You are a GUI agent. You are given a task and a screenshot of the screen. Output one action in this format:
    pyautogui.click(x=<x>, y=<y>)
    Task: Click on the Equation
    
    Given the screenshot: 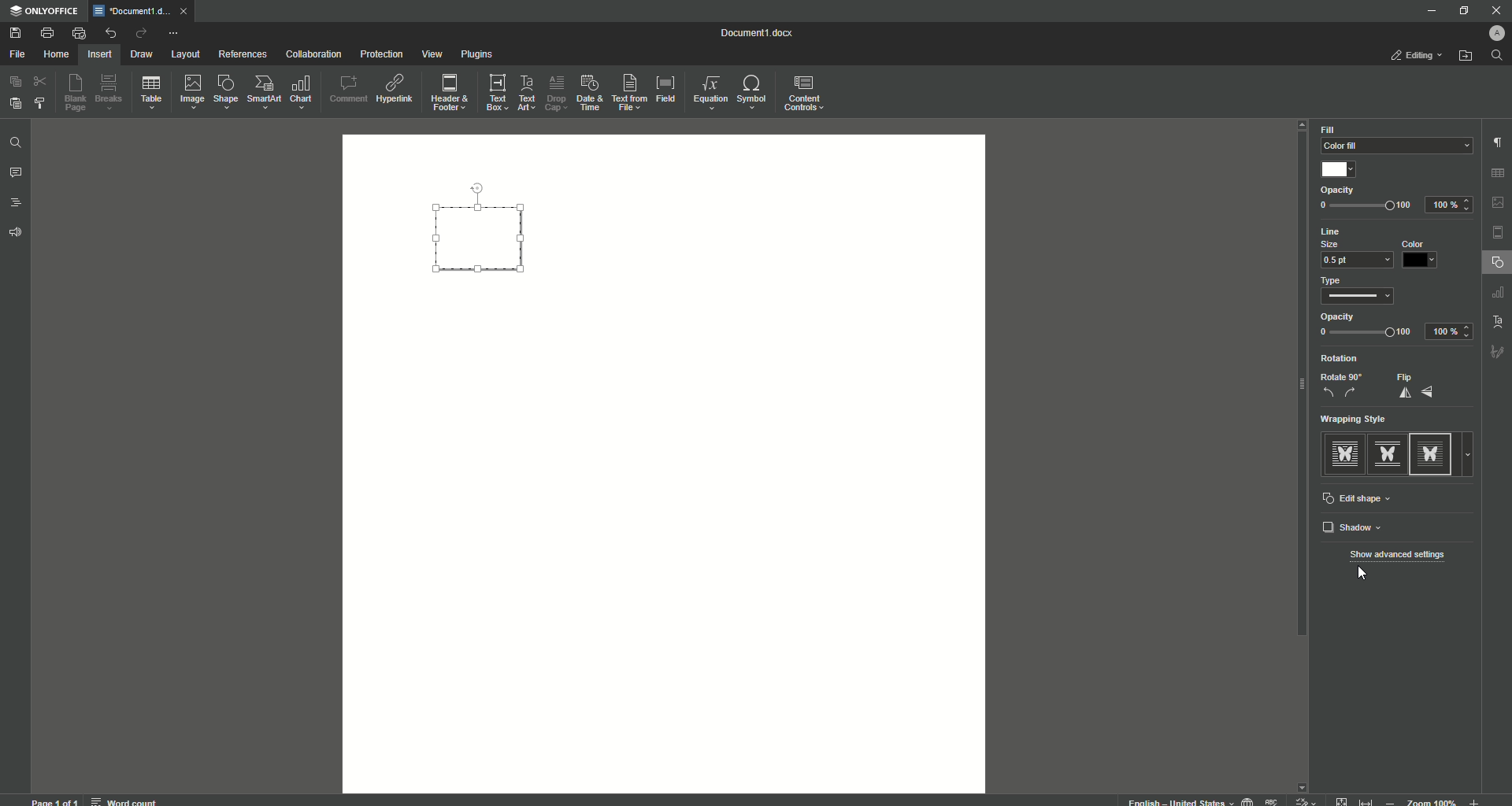 What is the action you would take?
    pyautogui.click(x=706, y=91)
    